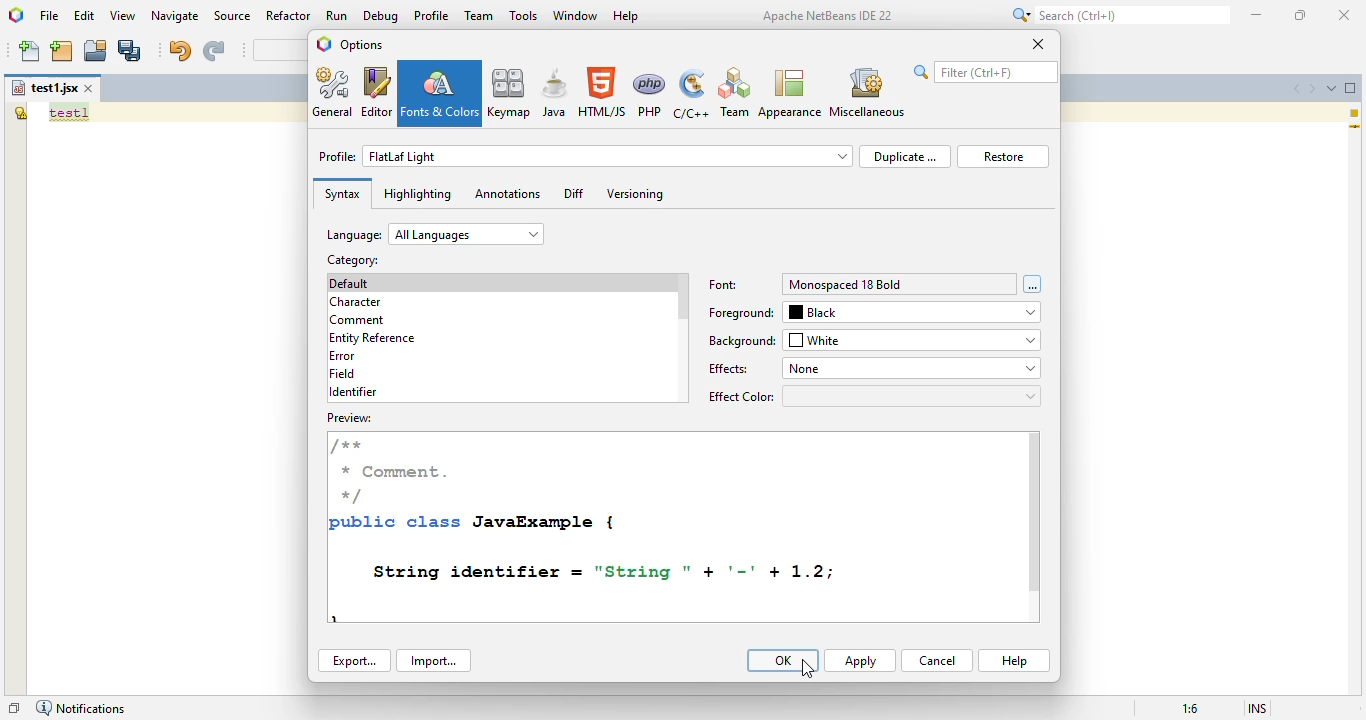 This screenshot has width=1366, height=720. Describe the element at coordinates (363, 45) in the screenshot. I see `options` at that location.